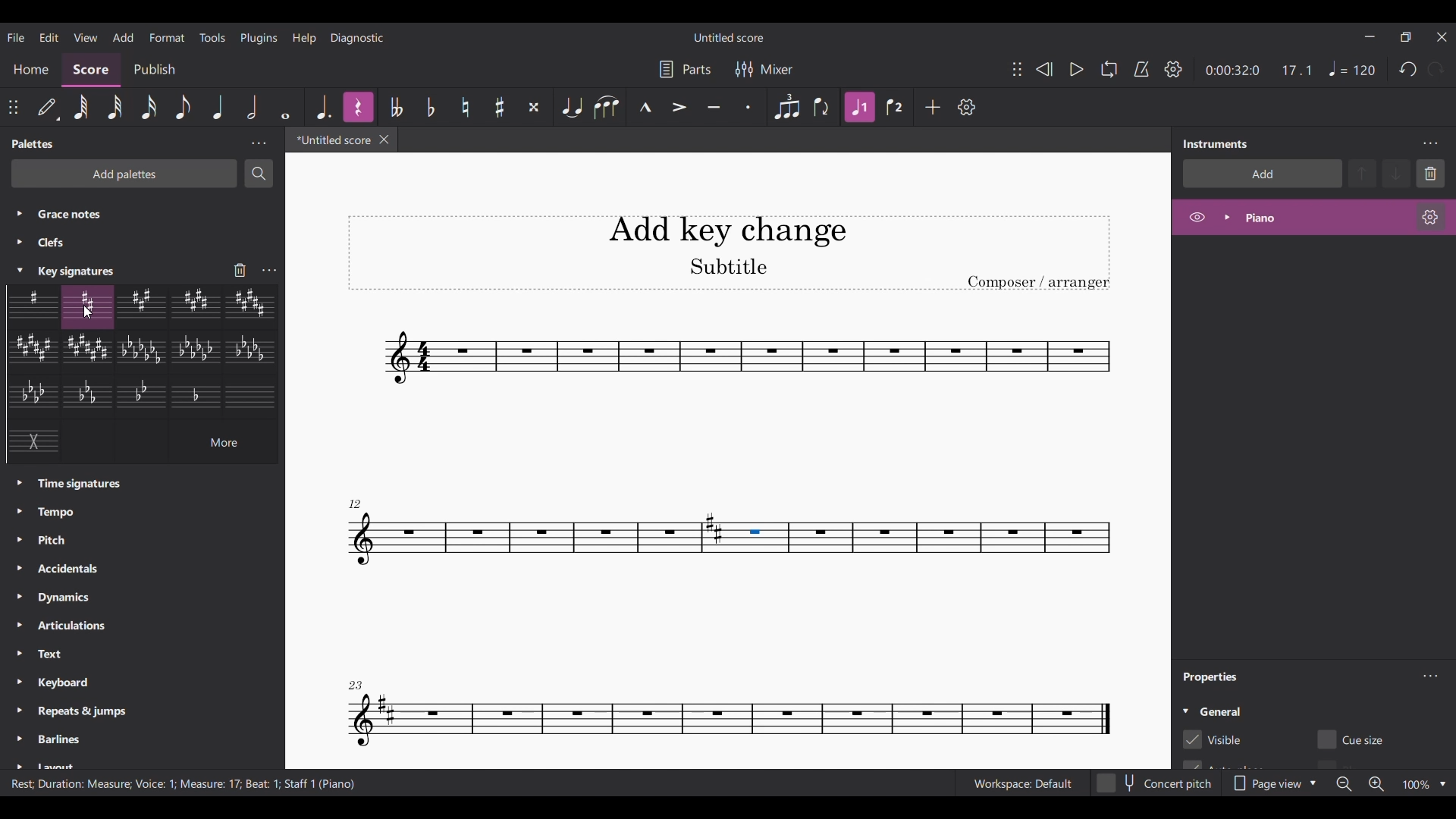  What do you see at coordinates (168, 37) in the screenshot?
I see `Format menu` at bounding box center [168, 37].